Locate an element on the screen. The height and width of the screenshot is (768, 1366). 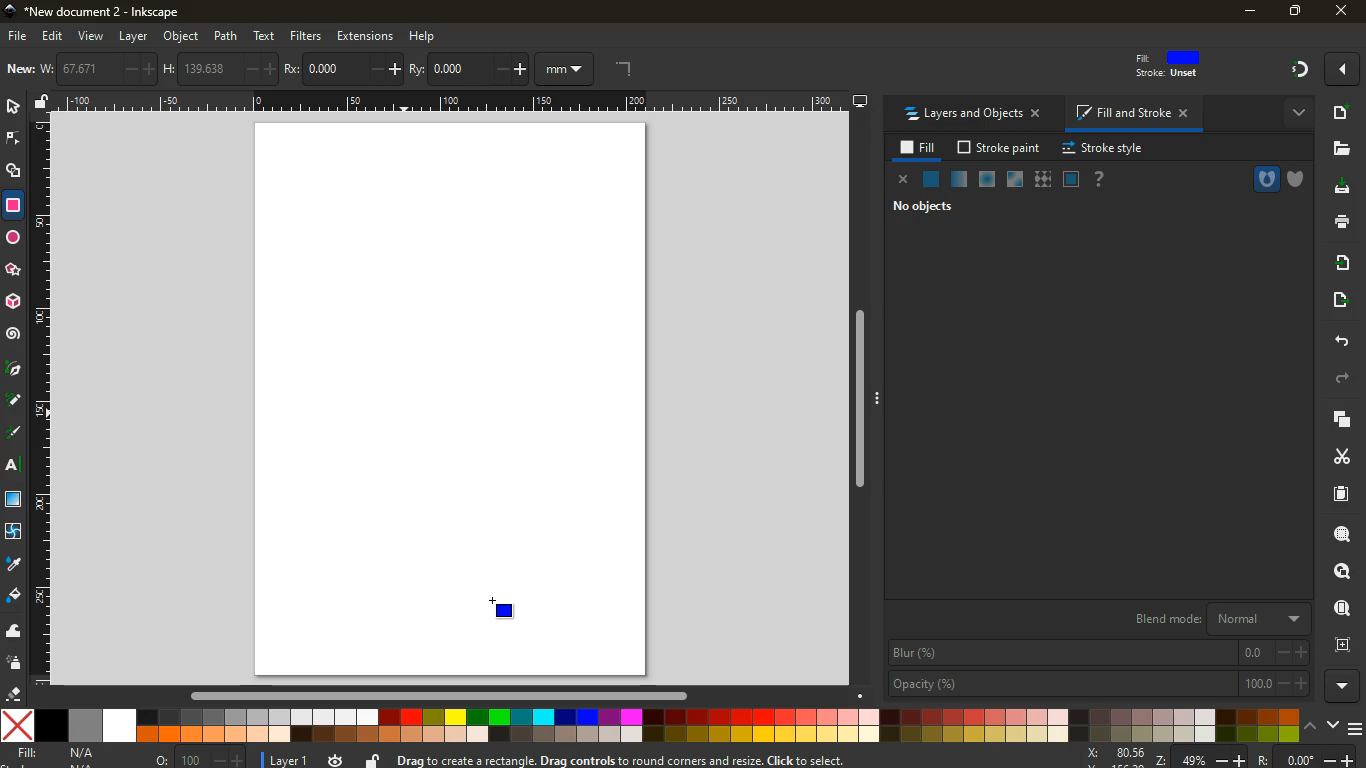
new is located at coordinates (1345, 114).